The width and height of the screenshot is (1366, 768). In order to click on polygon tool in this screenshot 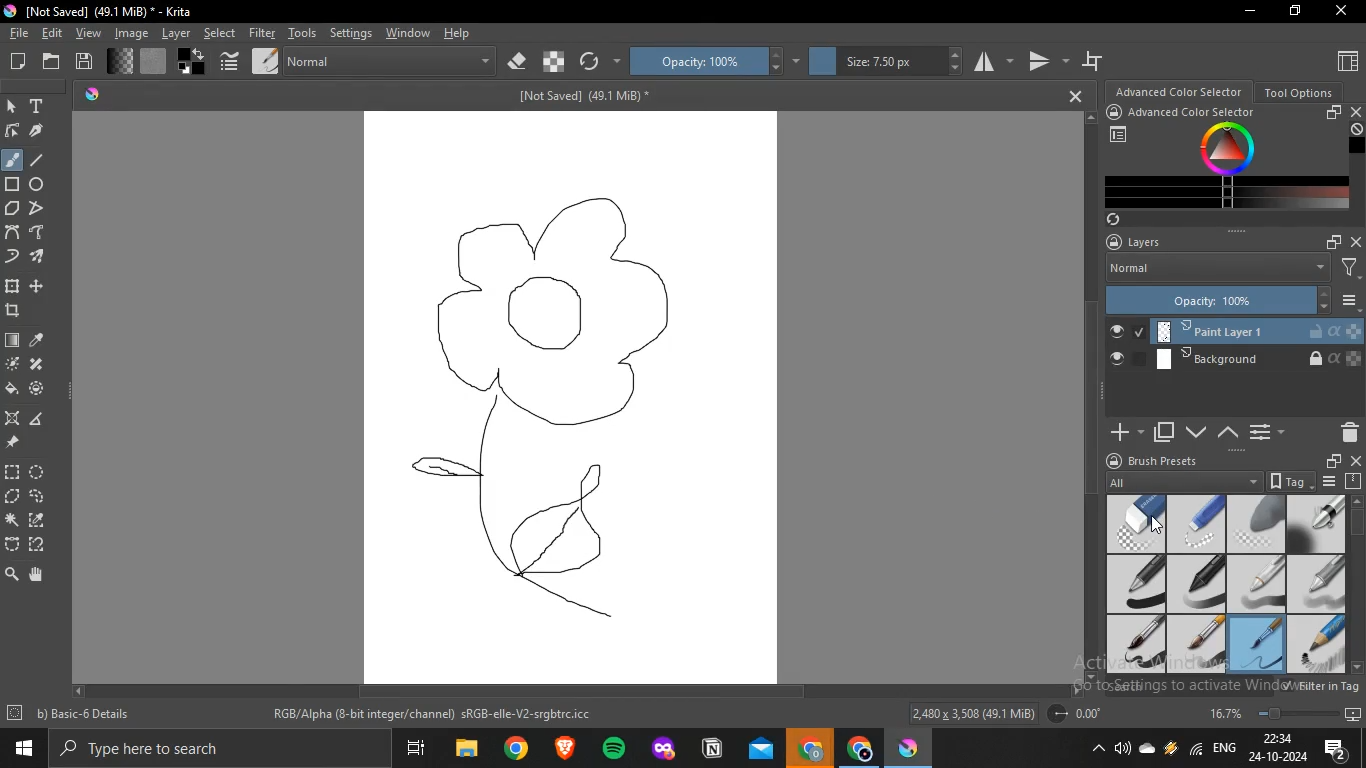, I will do `click(14, 207)`.